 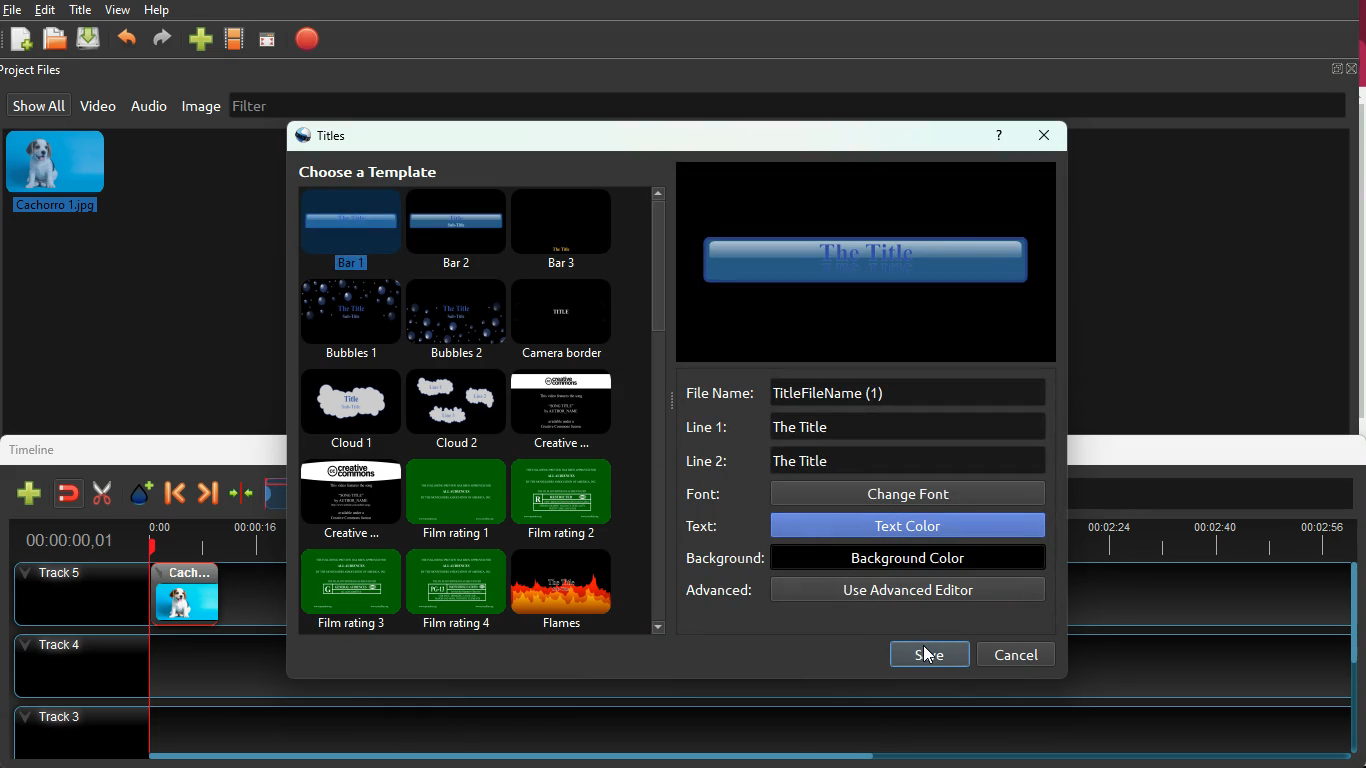 I want to click on audio, so click(x=149, y=105).